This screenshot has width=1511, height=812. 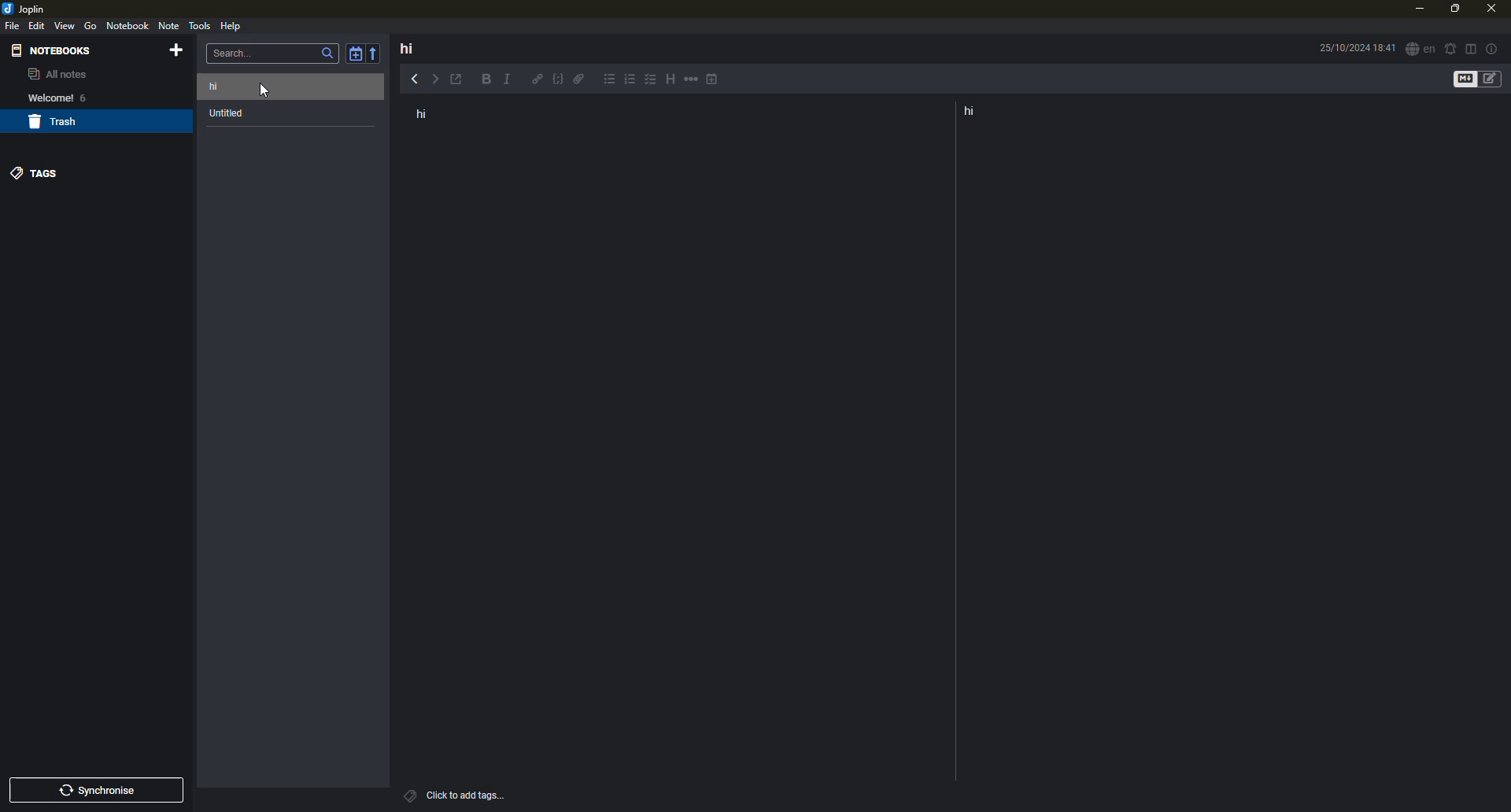 I want to click on heading, so click(x=667, y=79).